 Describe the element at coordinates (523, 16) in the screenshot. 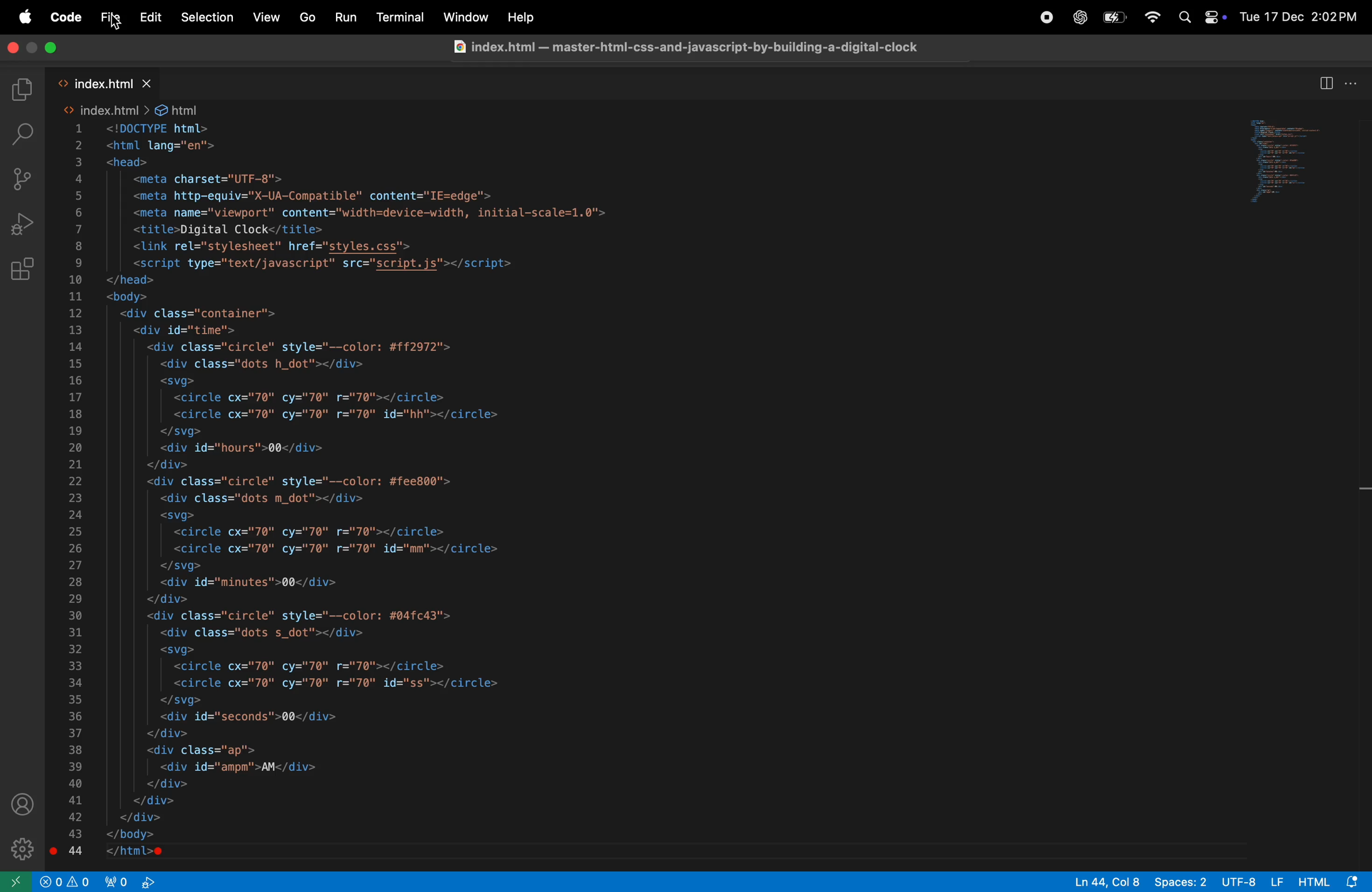

I see `` at that location.